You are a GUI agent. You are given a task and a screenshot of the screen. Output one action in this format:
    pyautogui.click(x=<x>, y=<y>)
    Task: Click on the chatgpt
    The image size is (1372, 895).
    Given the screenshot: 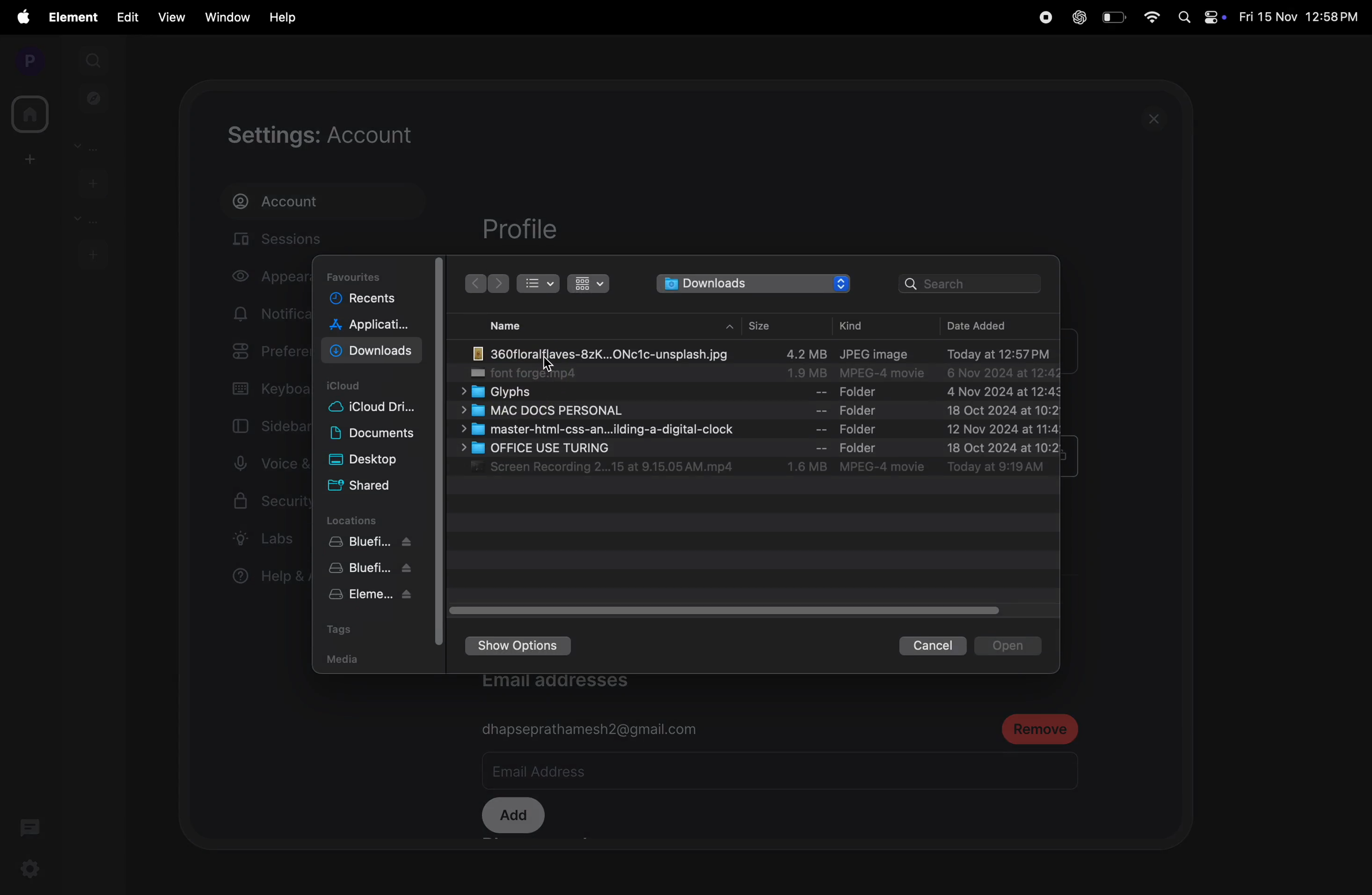 What is the action you would take?
    pyautogui.click(x=1077, y=18)
    